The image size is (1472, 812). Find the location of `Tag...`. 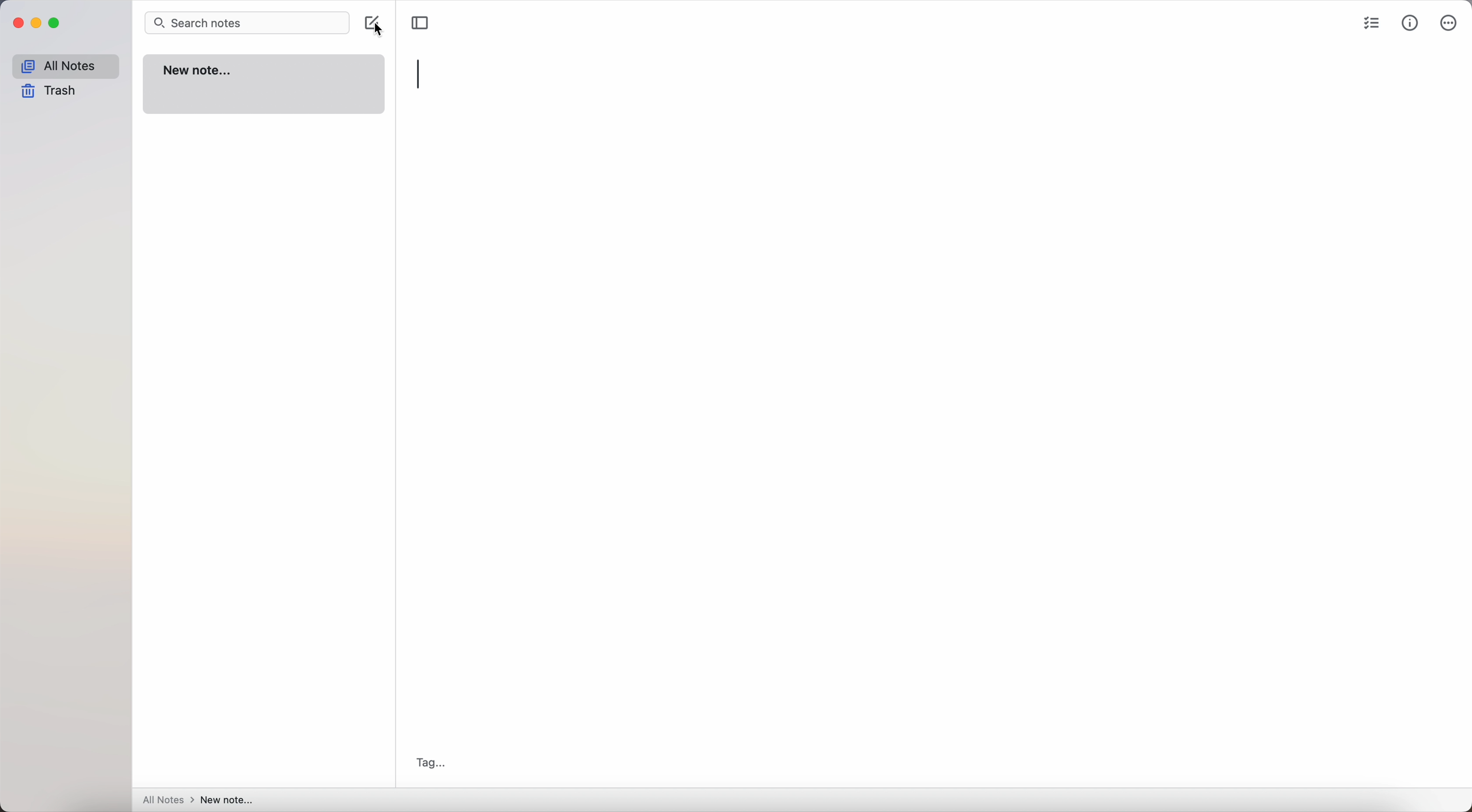

Tag... is located at coordinates (438, 761).